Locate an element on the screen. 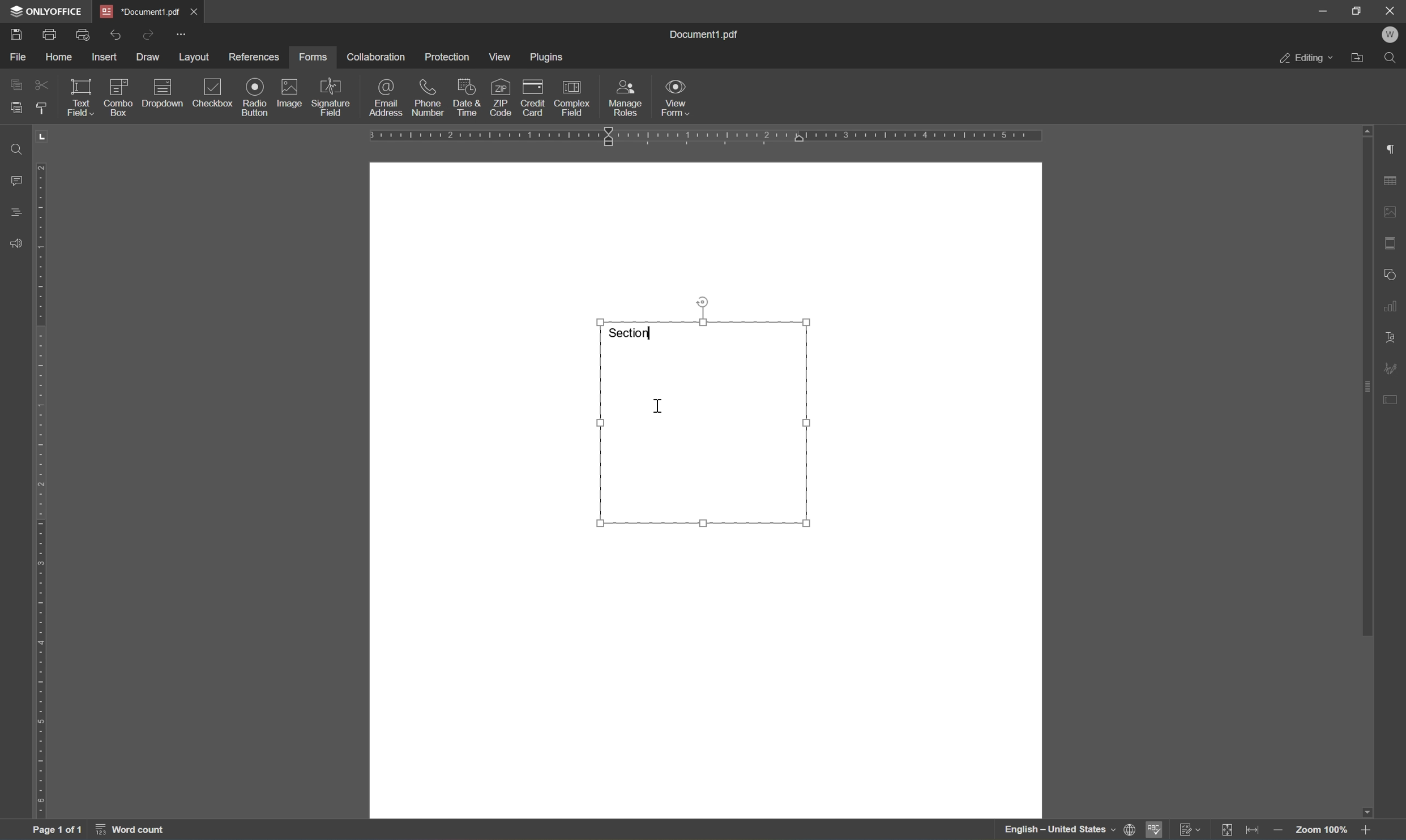 This screenshot has height=840, width=1406. draw is located at coordinates (149, 57).